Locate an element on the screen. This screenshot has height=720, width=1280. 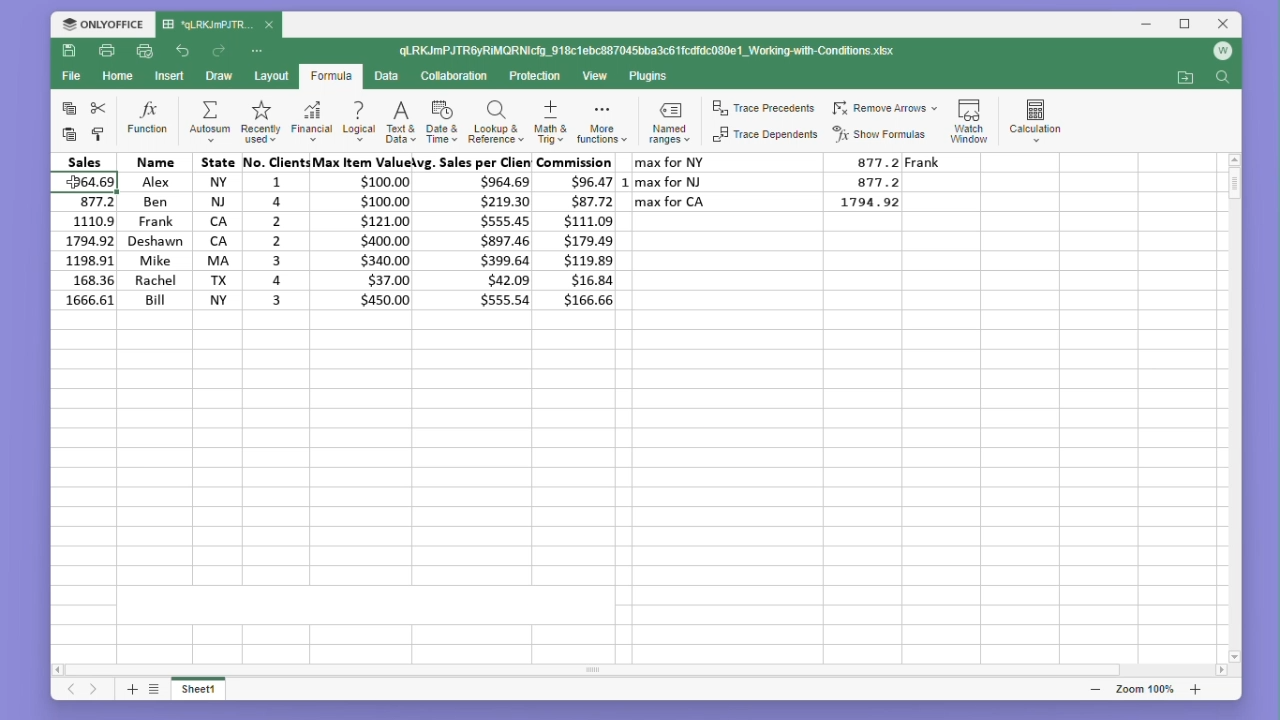
close is located at coordinates (270, 24).